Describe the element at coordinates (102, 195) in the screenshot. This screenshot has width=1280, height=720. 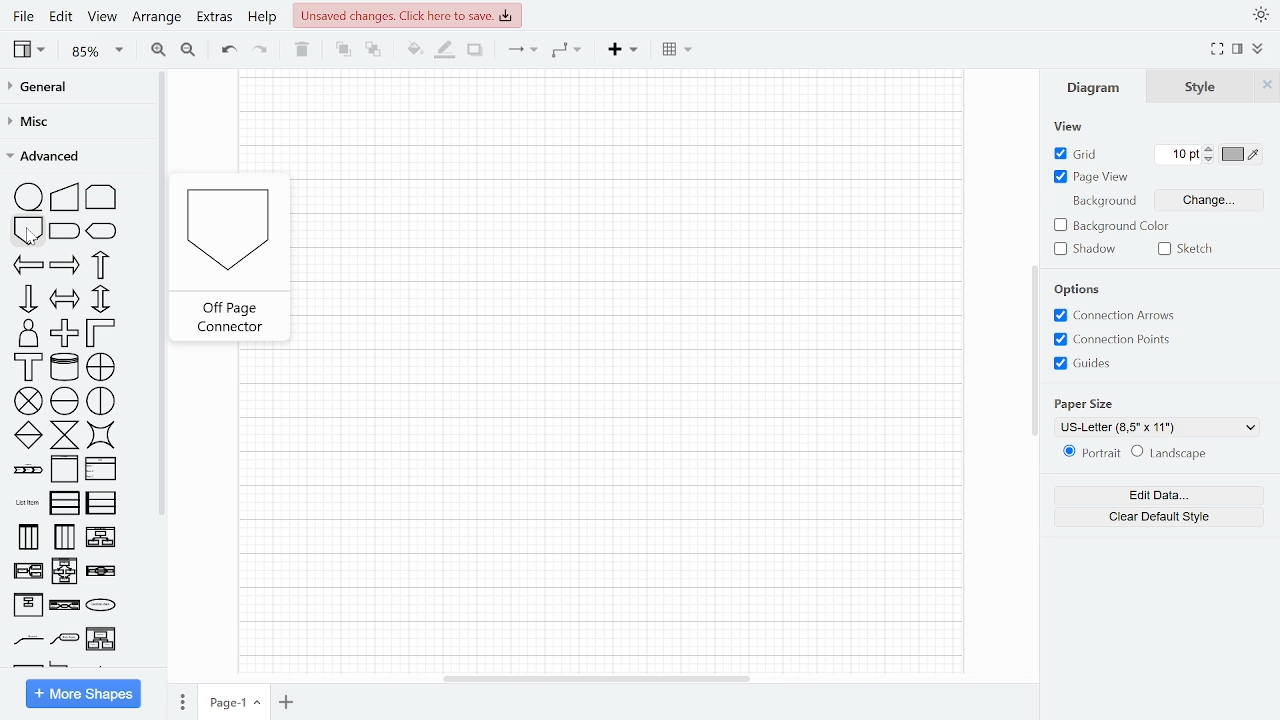
I see `loop limit` at that location.